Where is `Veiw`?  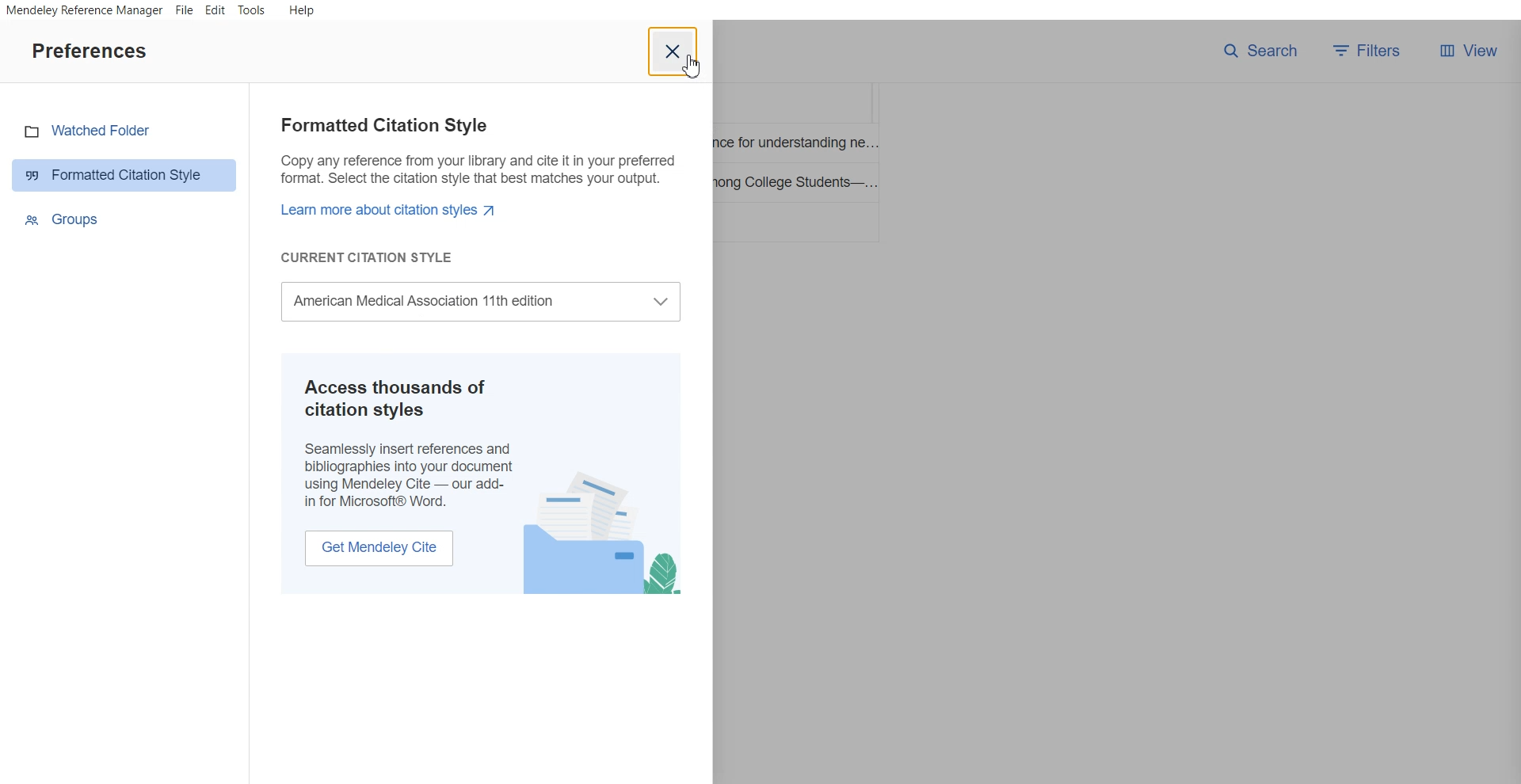 Veiw is located at coordinates (1468, 51).